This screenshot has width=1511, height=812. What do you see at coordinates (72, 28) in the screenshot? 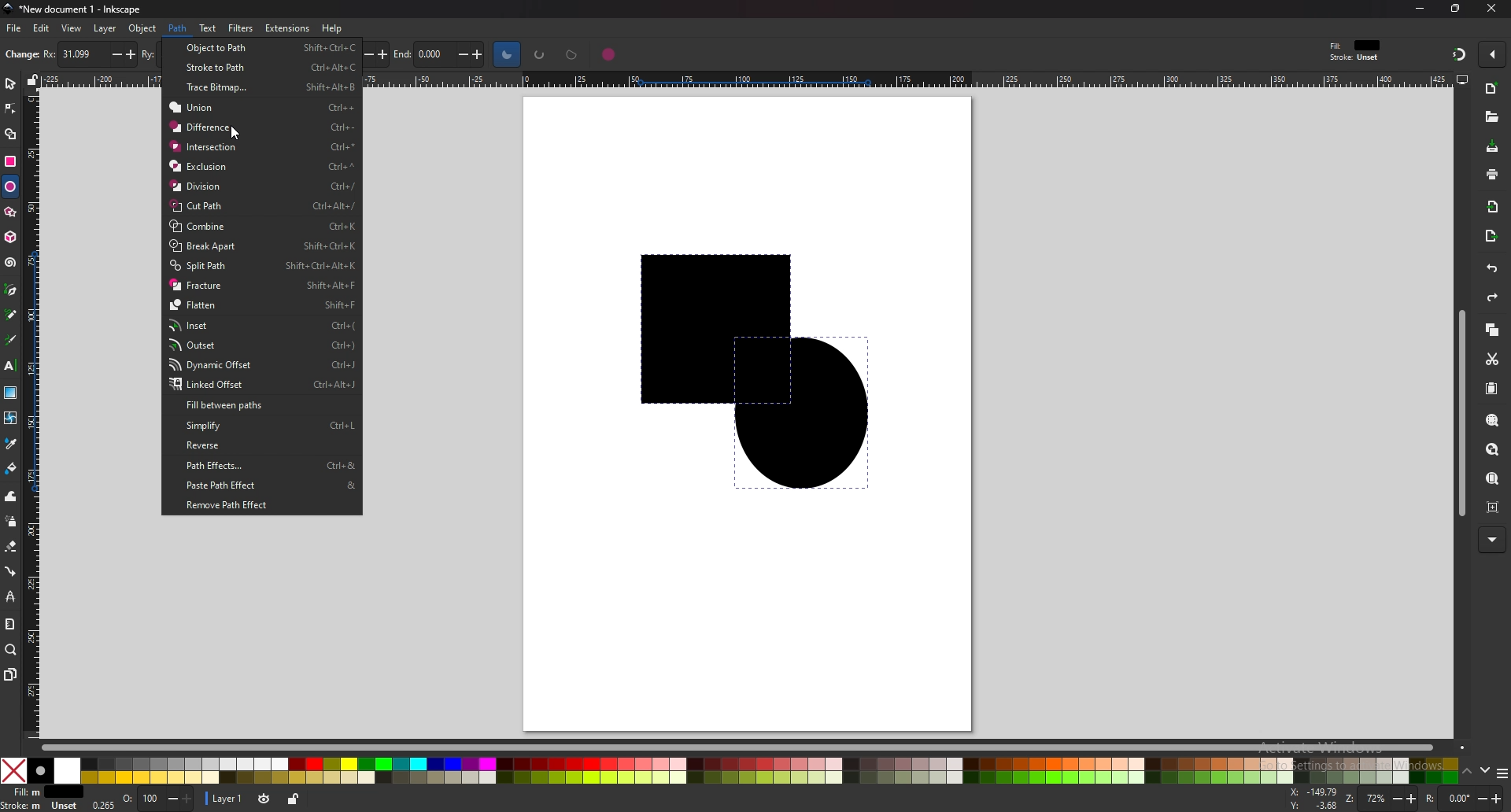
I see `view` at bounding box center [72, 28].